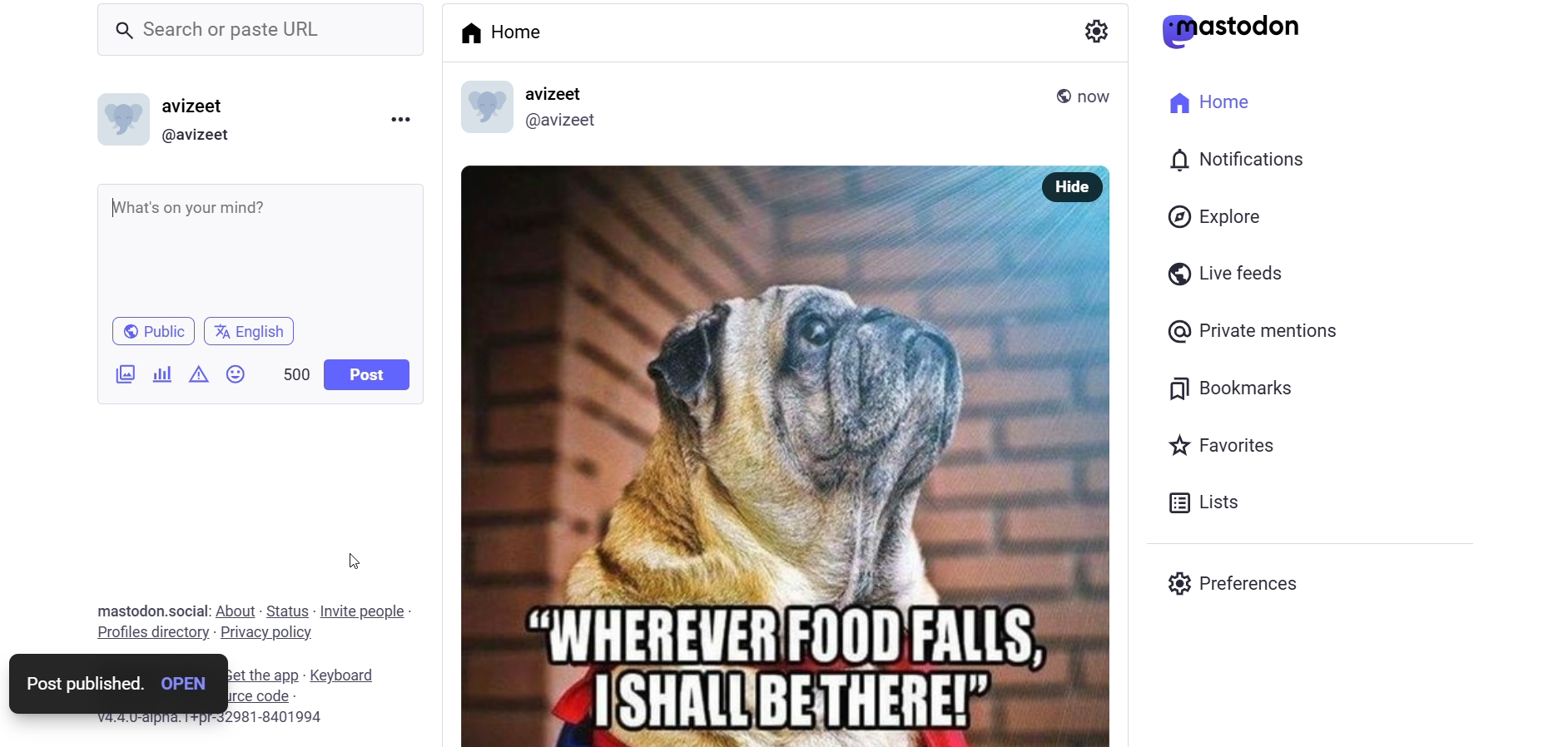  What do you see at coordinates (149, 632) in the screenshot?
I see `profile` at bounding box center [149, 632].